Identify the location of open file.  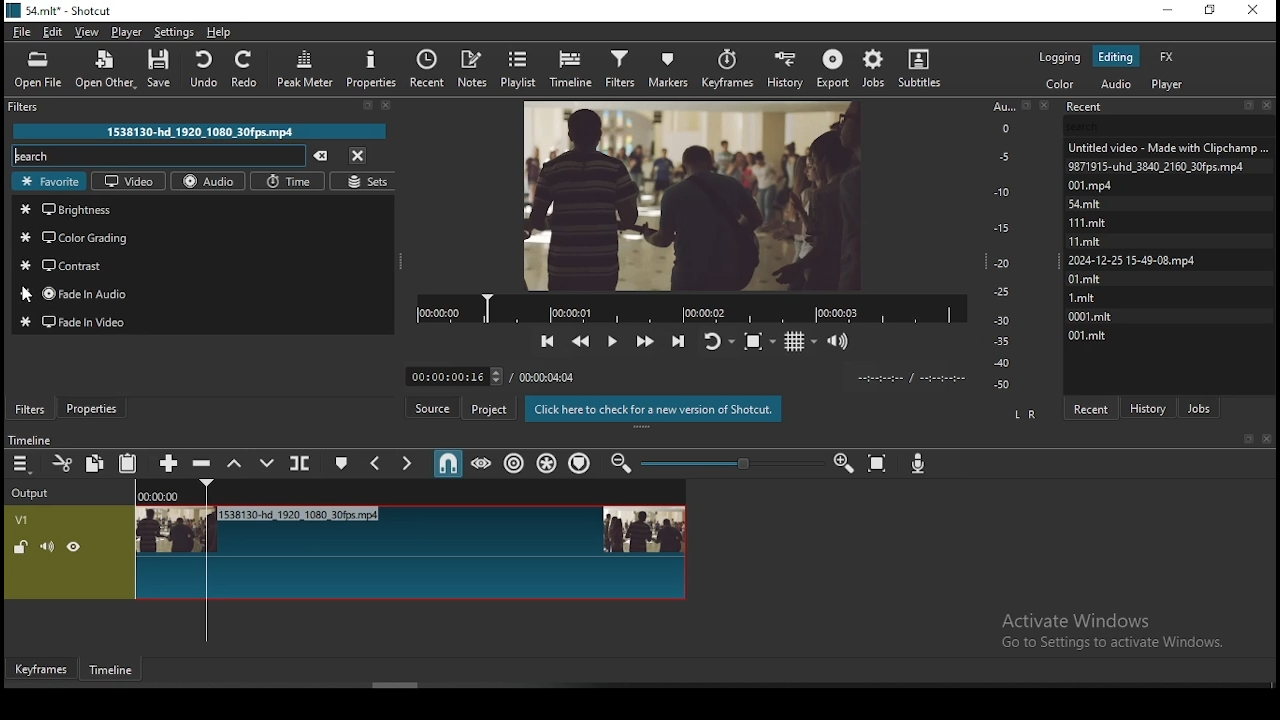
(38, 70).